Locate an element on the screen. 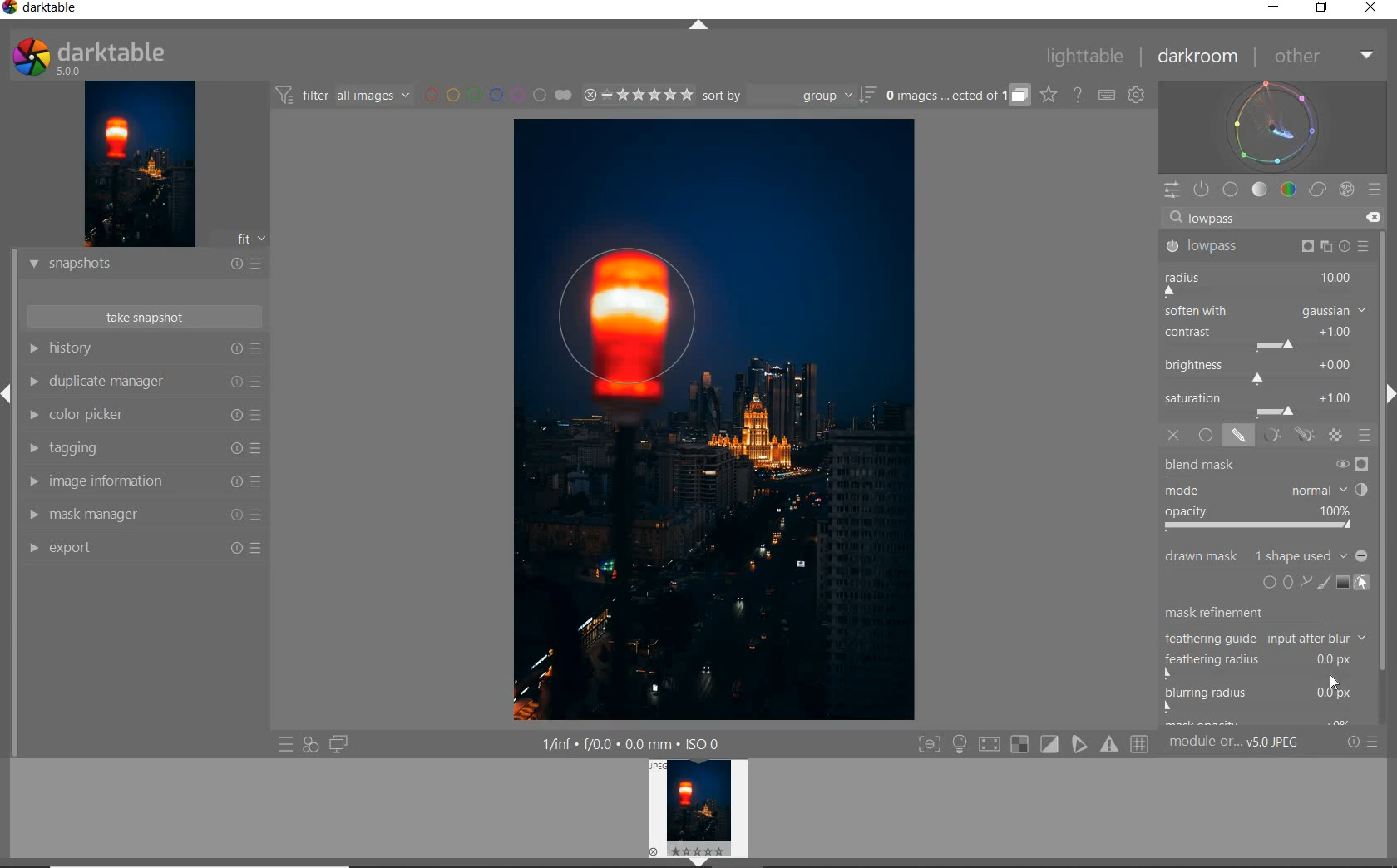  QUICK ACCESS FOR APPLYING ANY OF YOUR STYLES is located at coordinates (309, 745).